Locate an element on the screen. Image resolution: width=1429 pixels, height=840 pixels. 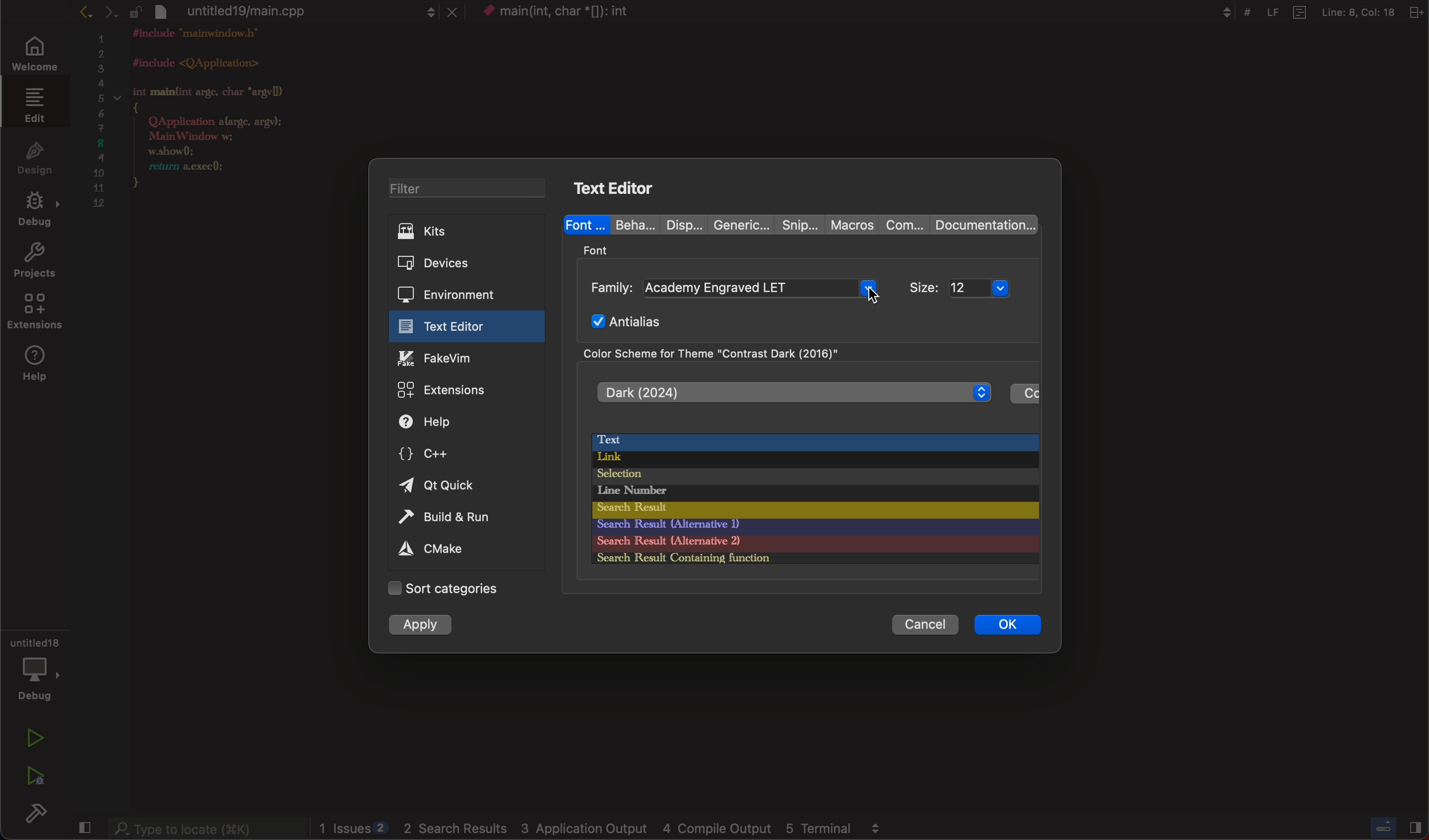
font is located at coordinates (599, 249).